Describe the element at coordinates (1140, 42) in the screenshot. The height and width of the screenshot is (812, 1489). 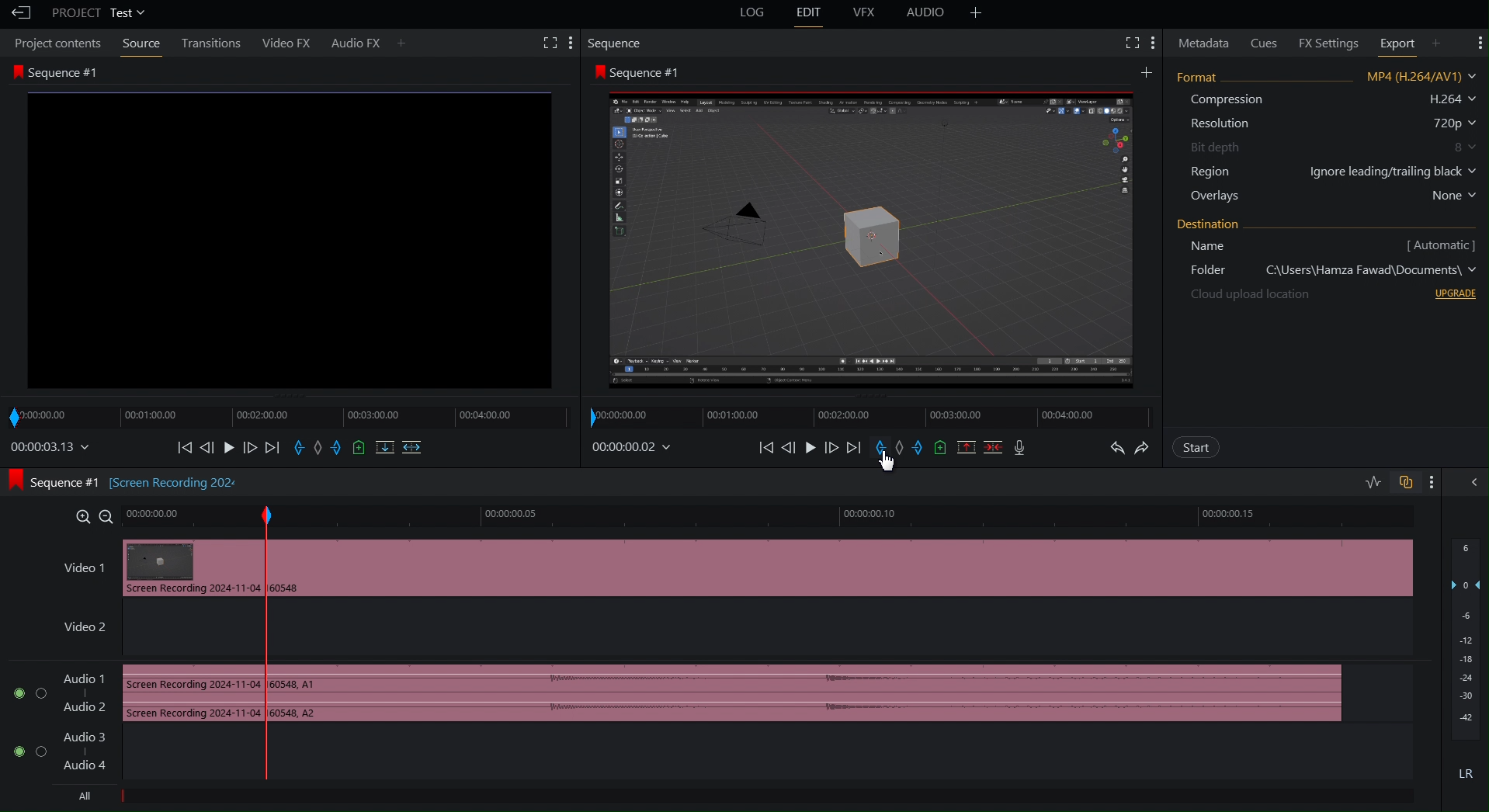
I see `Settings` at that location.